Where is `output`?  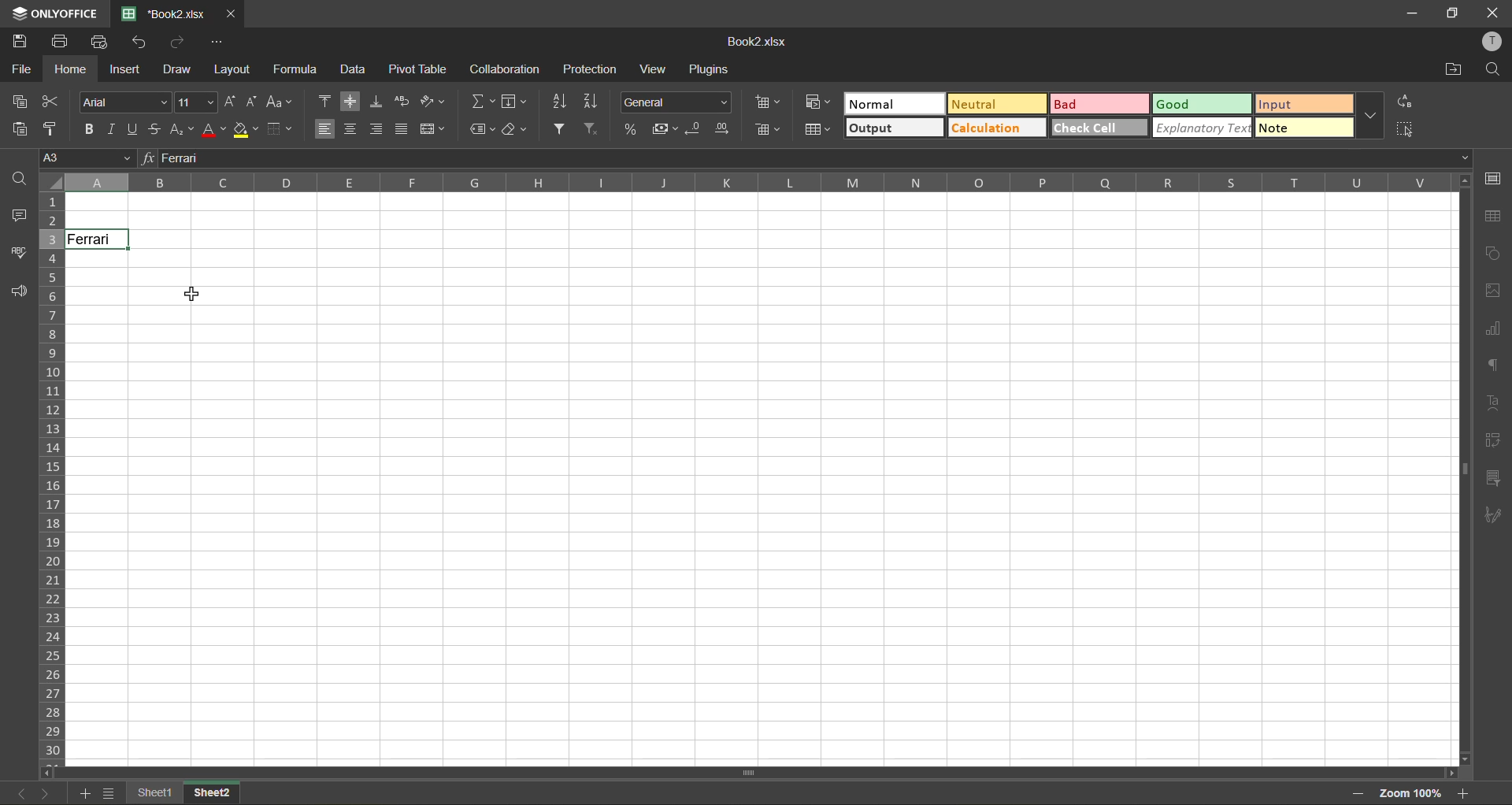
output is located at coordinates (897, 129).